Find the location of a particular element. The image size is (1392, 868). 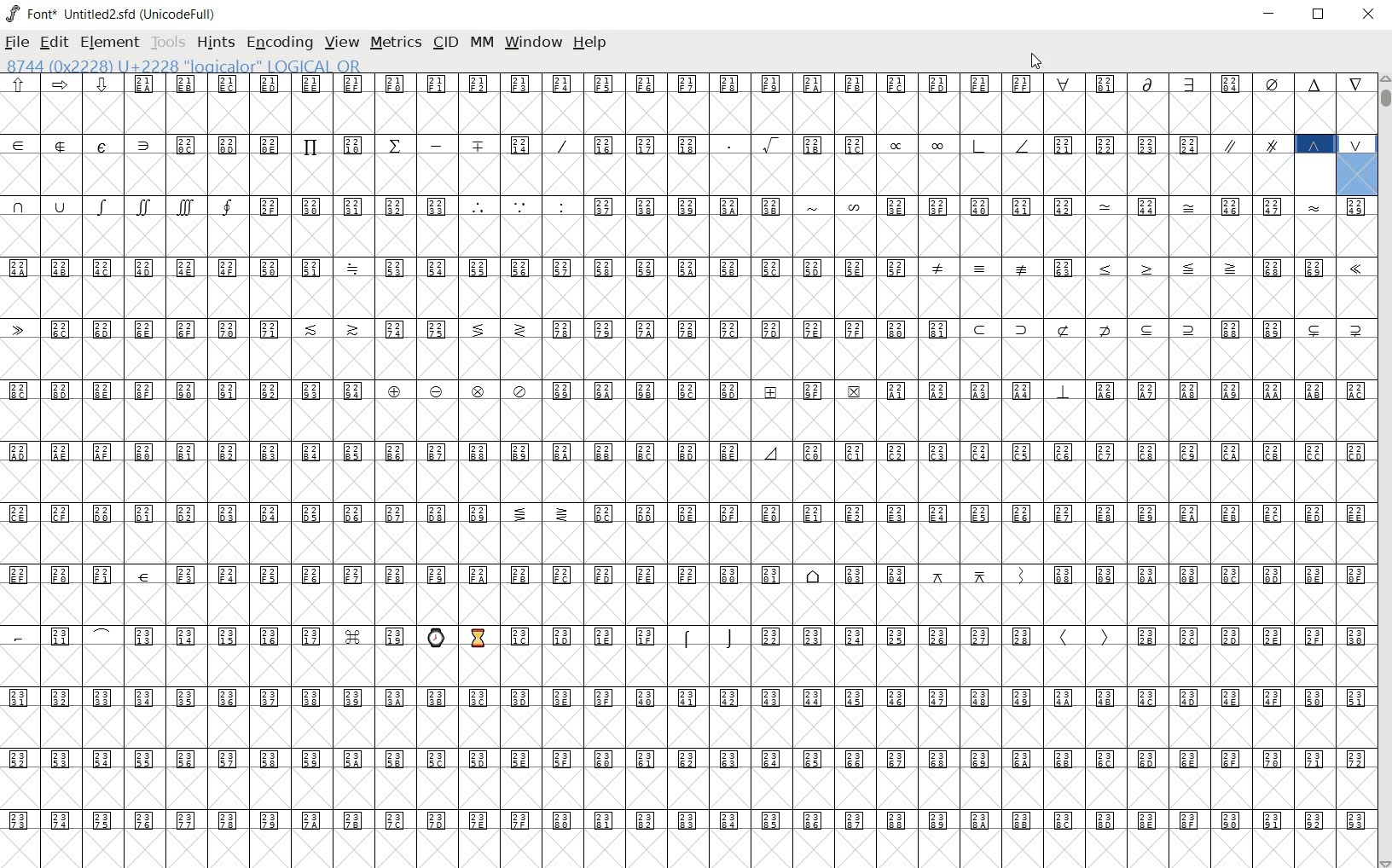

glyph characters is located at coordinates (647, 467).